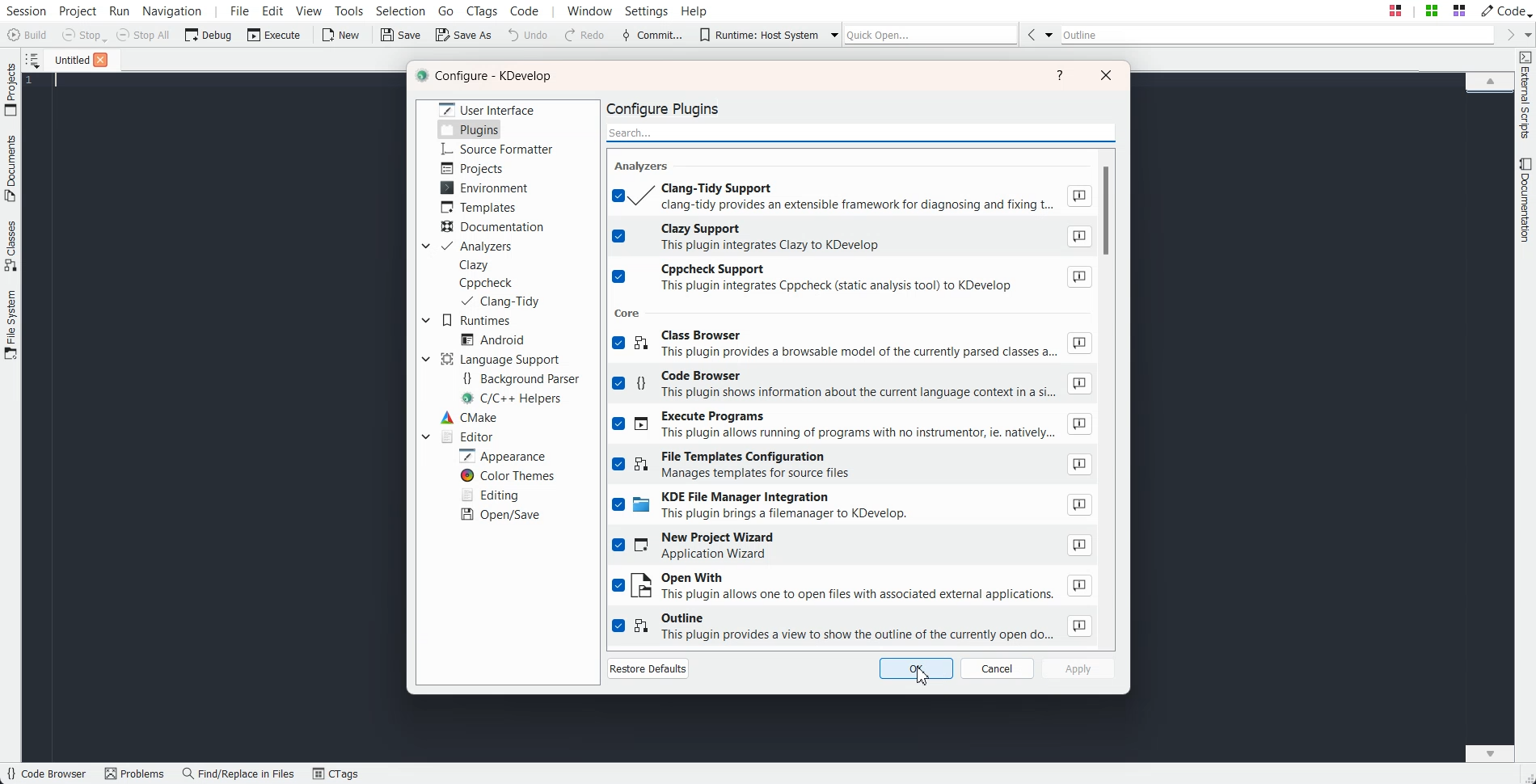 The width and height of the screenshot is (1536, 784). I want to click on Close, so click(100, 60).